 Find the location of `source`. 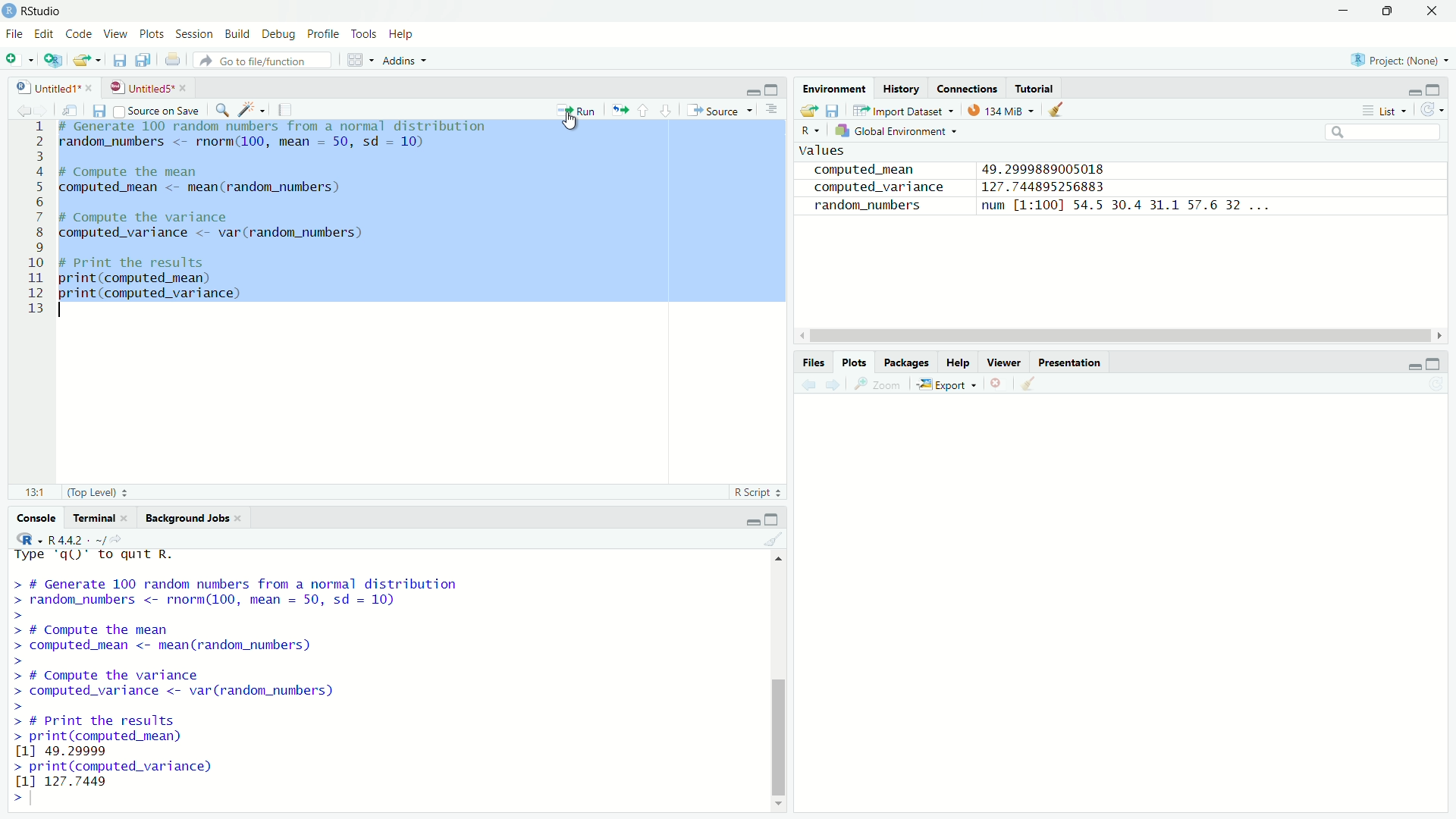

source is located at coordinates (722, 110).